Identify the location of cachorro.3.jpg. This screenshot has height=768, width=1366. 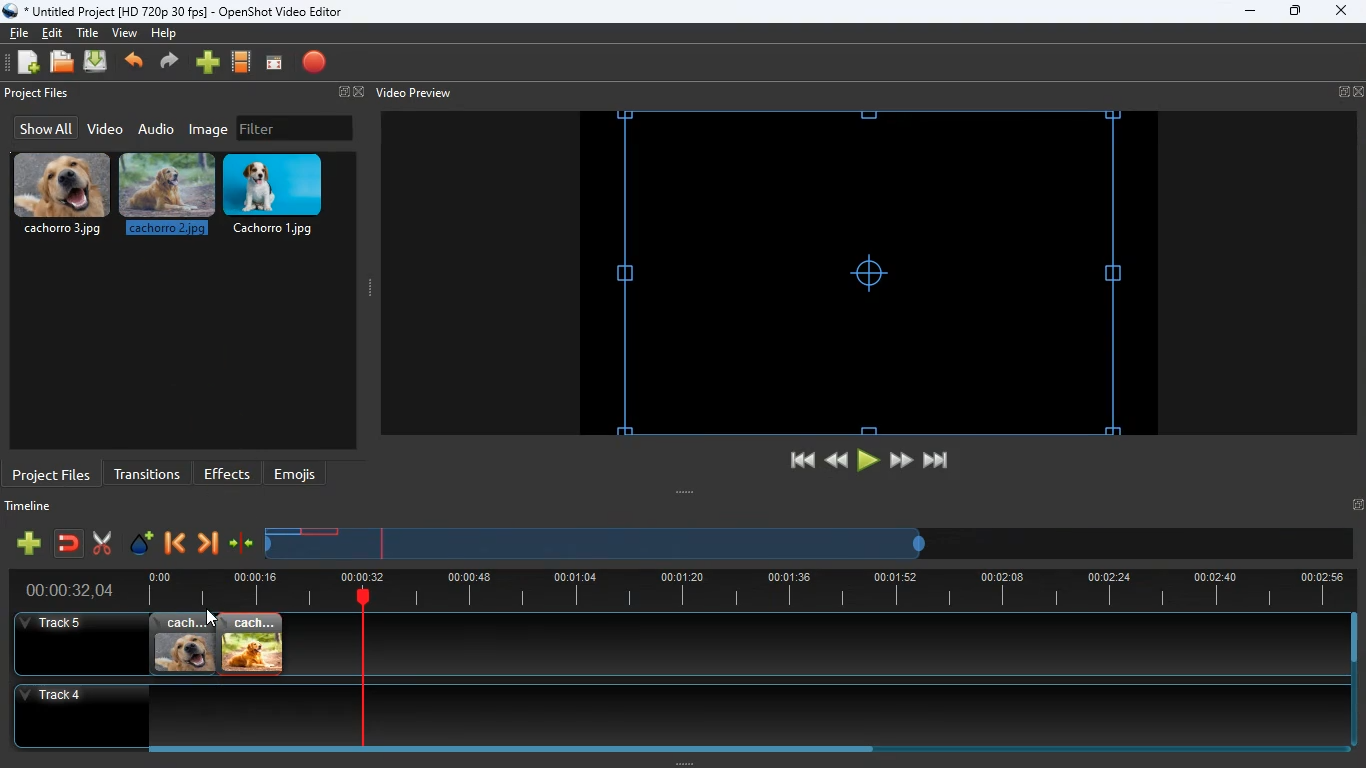
(62, 195).